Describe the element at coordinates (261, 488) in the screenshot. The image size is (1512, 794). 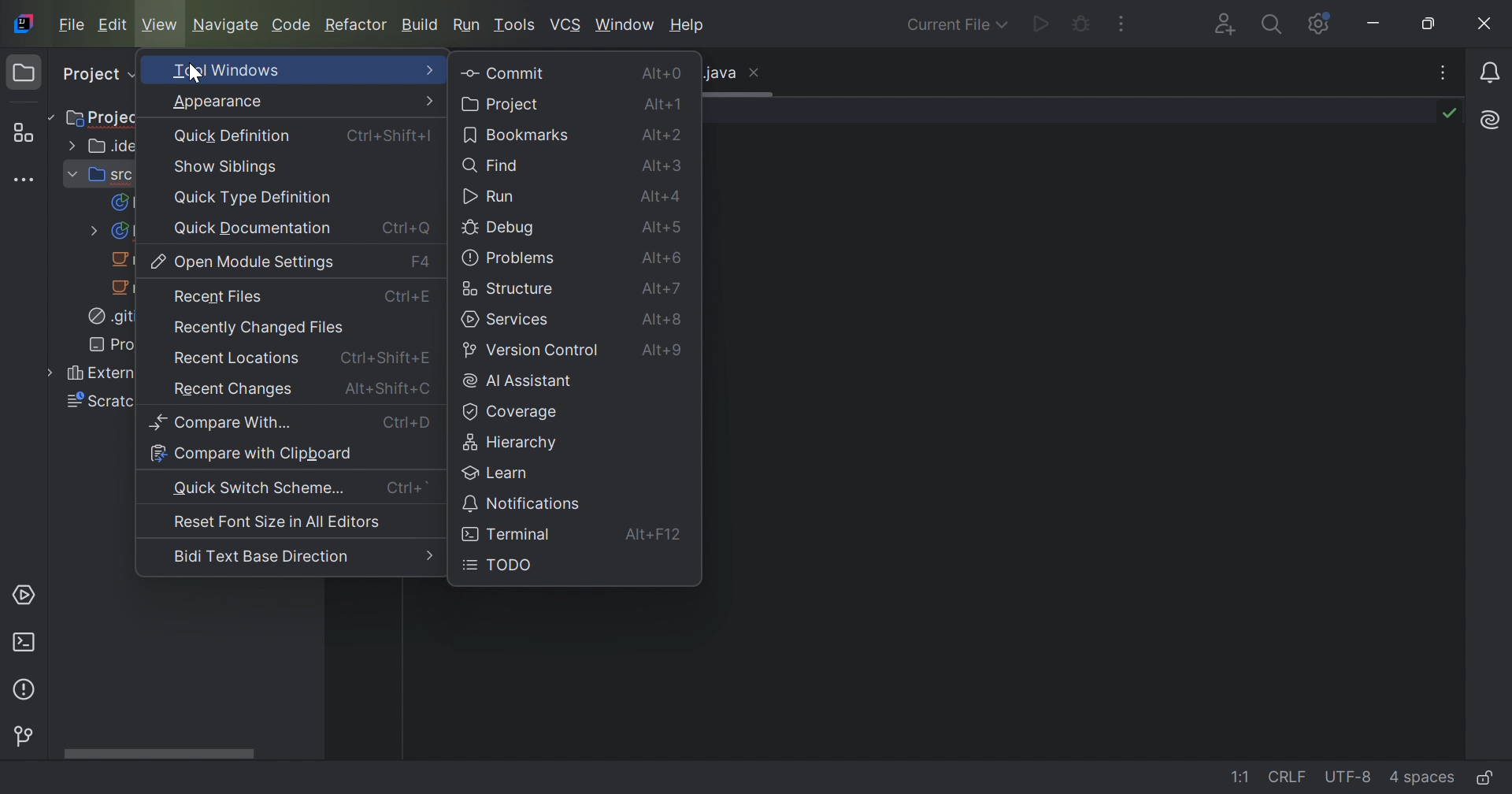
I see `Quick switch scheme` at that location.